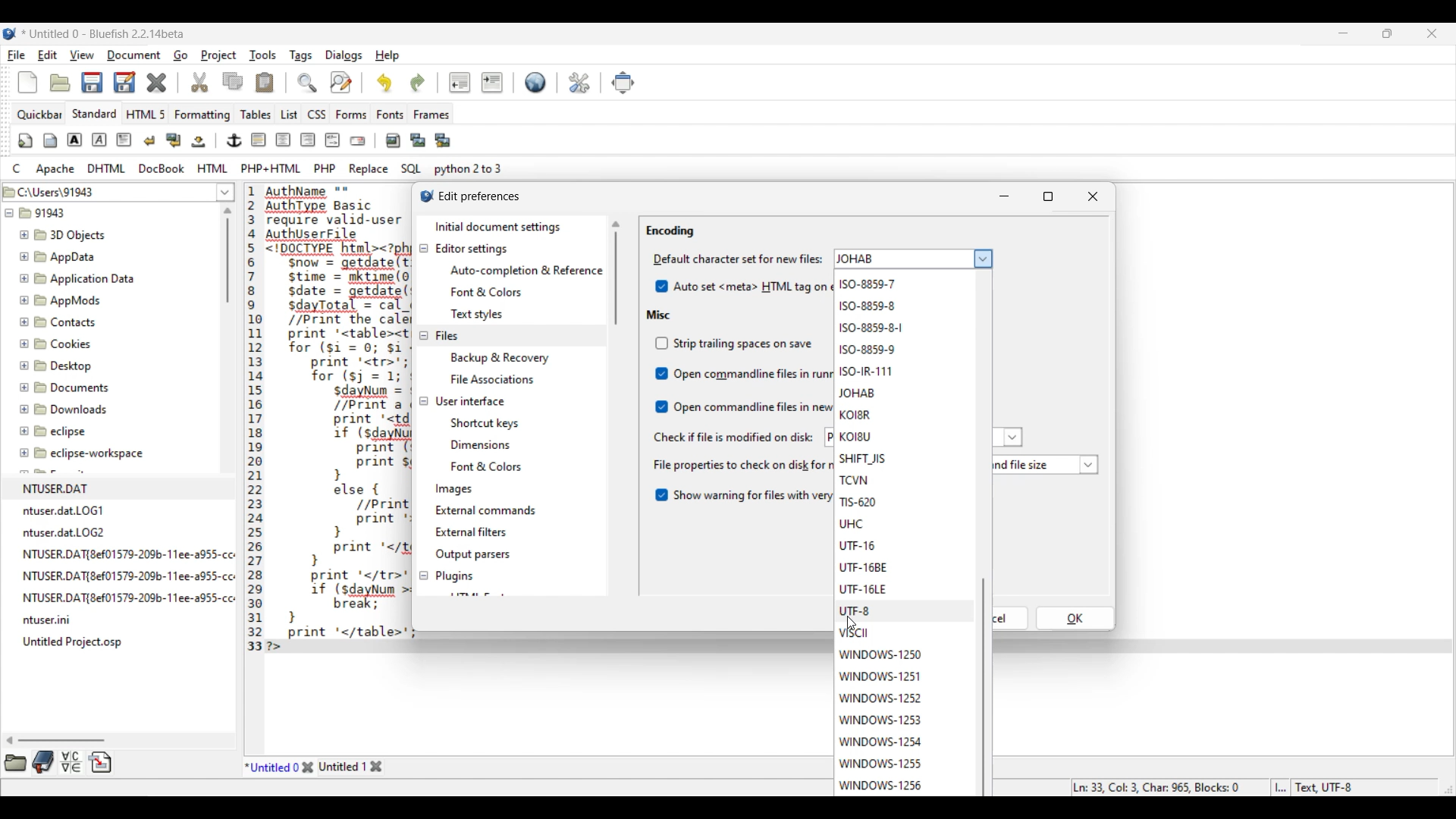  I want to click on Forms, so click(352, 115).